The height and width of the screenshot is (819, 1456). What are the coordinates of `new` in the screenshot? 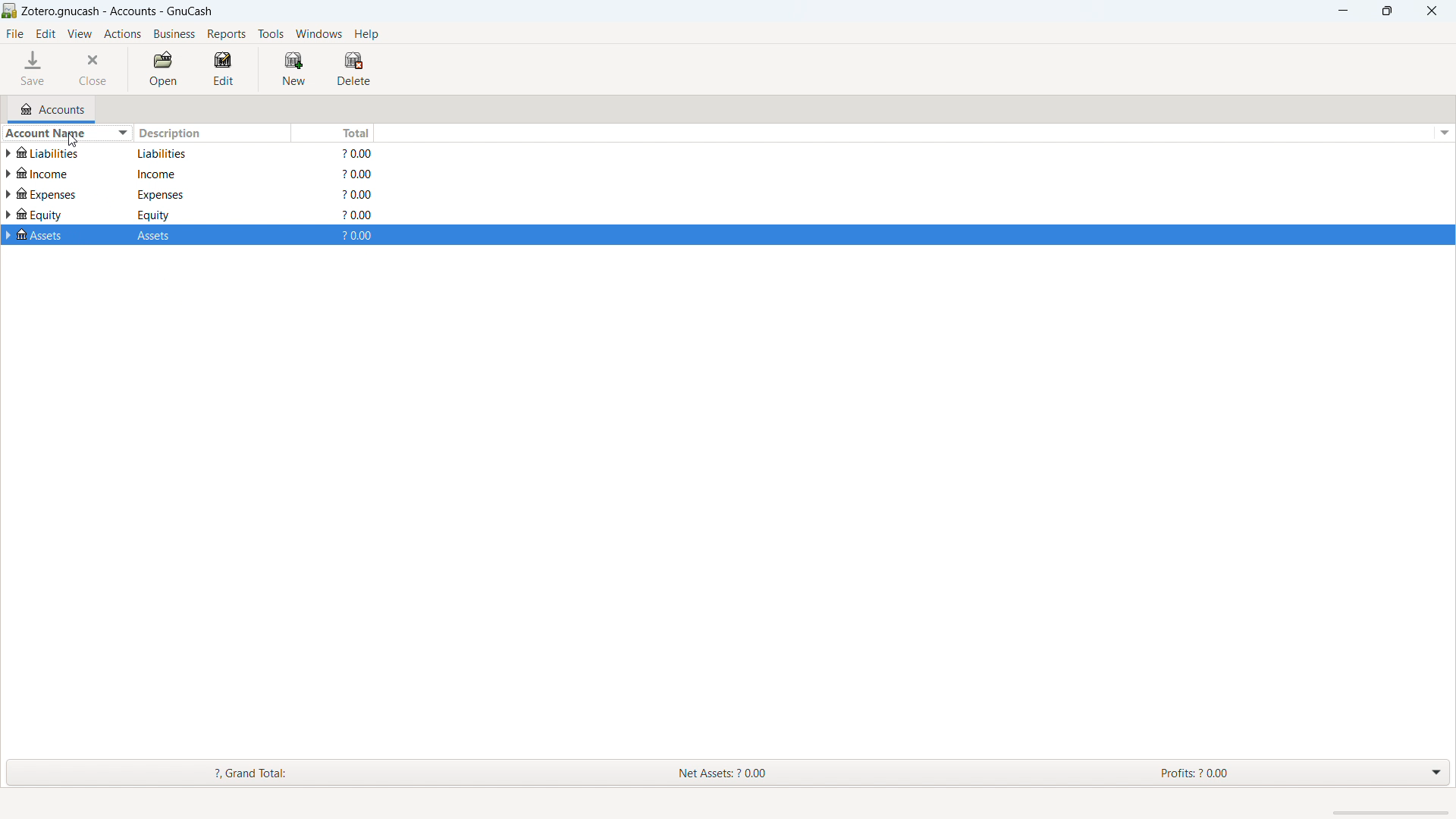 It's located at (294, 70).